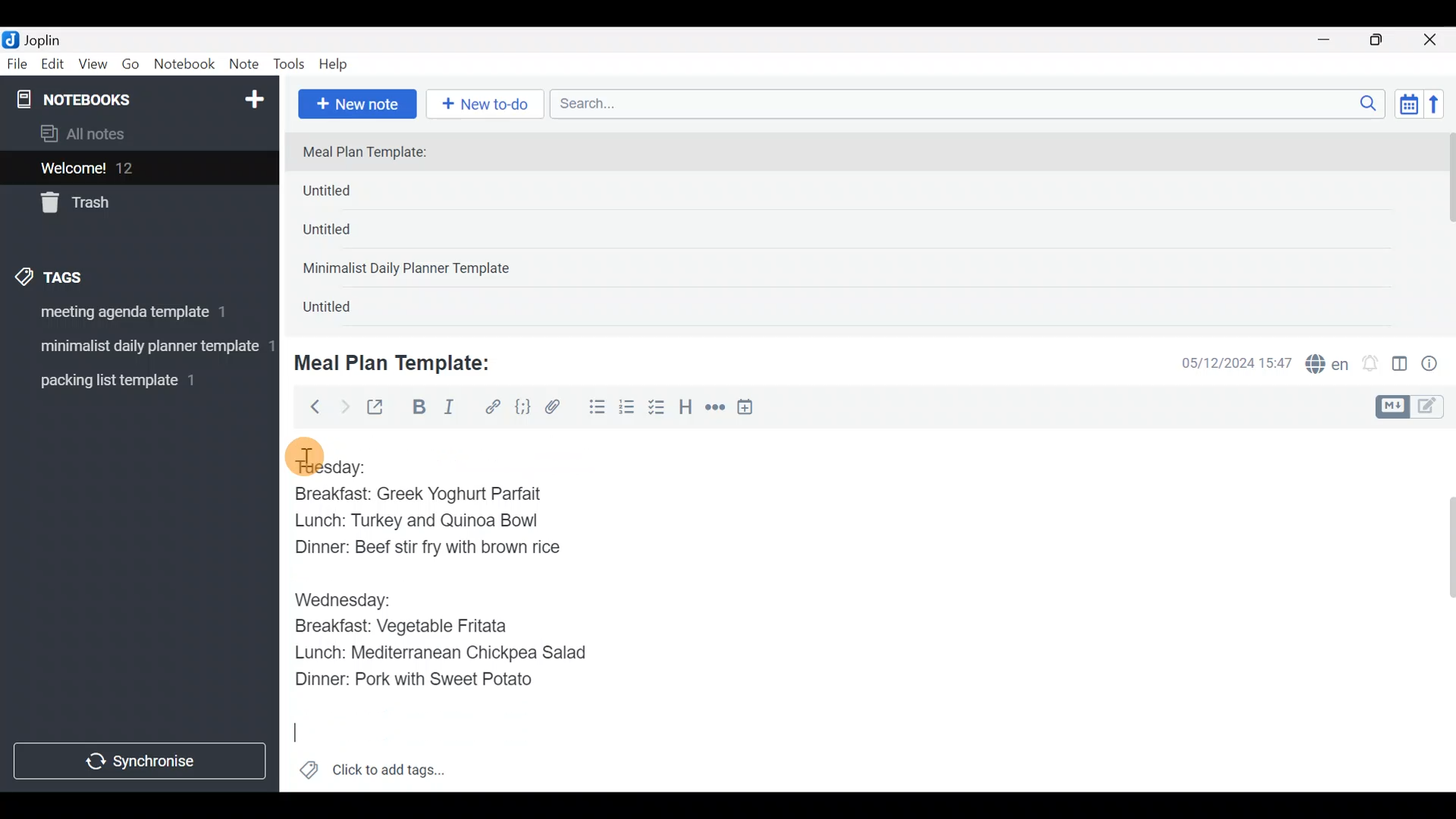 This screenshot has width=1456, height=819. What do you see at coordinates (444, 655) in the screenshot?
I see `Lunch: Mediterranean Chickpea Salad` at bounding box center [444, 655].